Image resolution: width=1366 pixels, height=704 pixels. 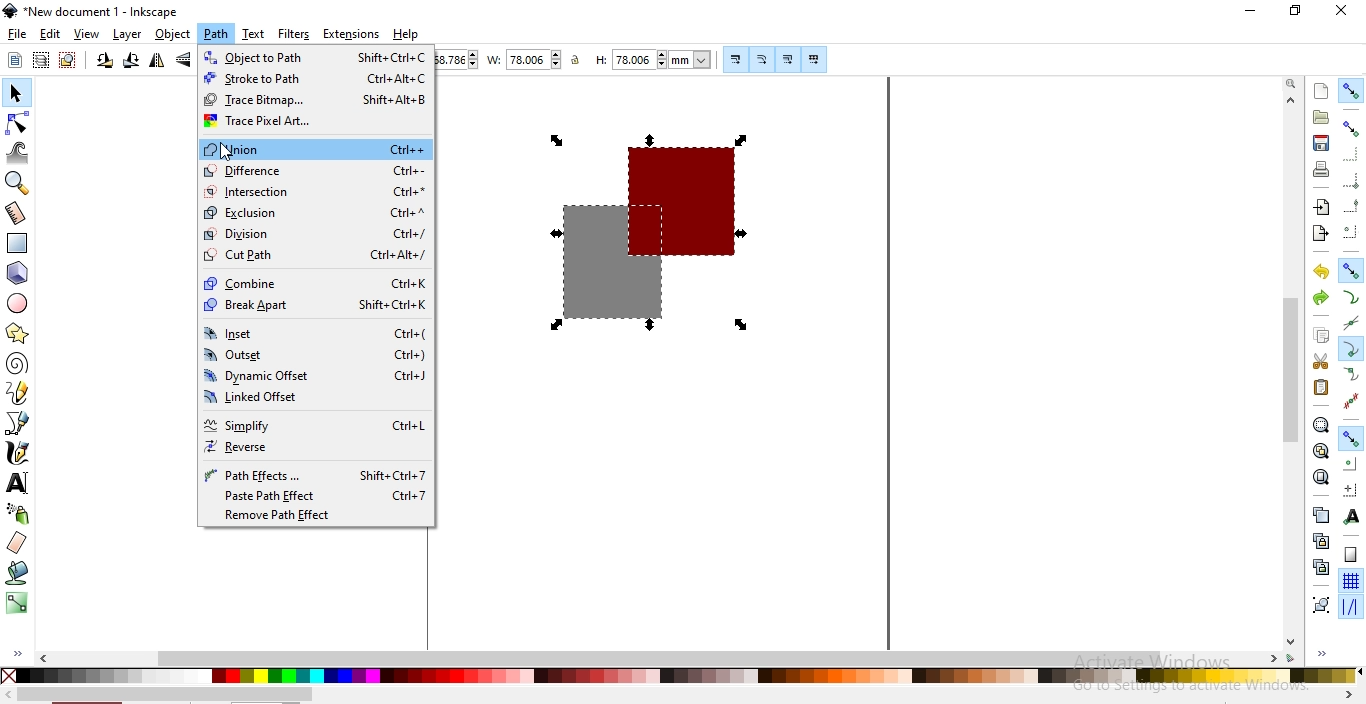 I want to click on scrollbar, so click(x=662, y=657).